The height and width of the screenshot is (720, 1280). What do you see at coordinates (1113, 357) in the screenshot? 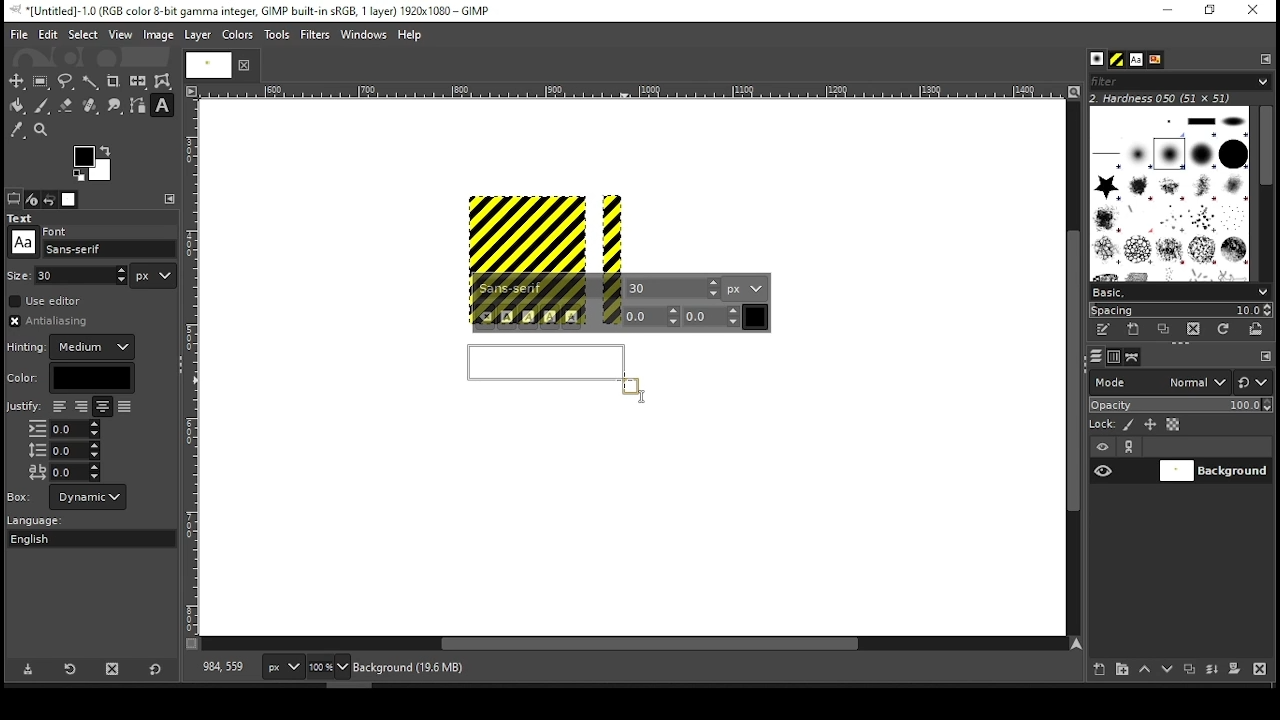
I see `channels` at bounding box center [1113, 357].